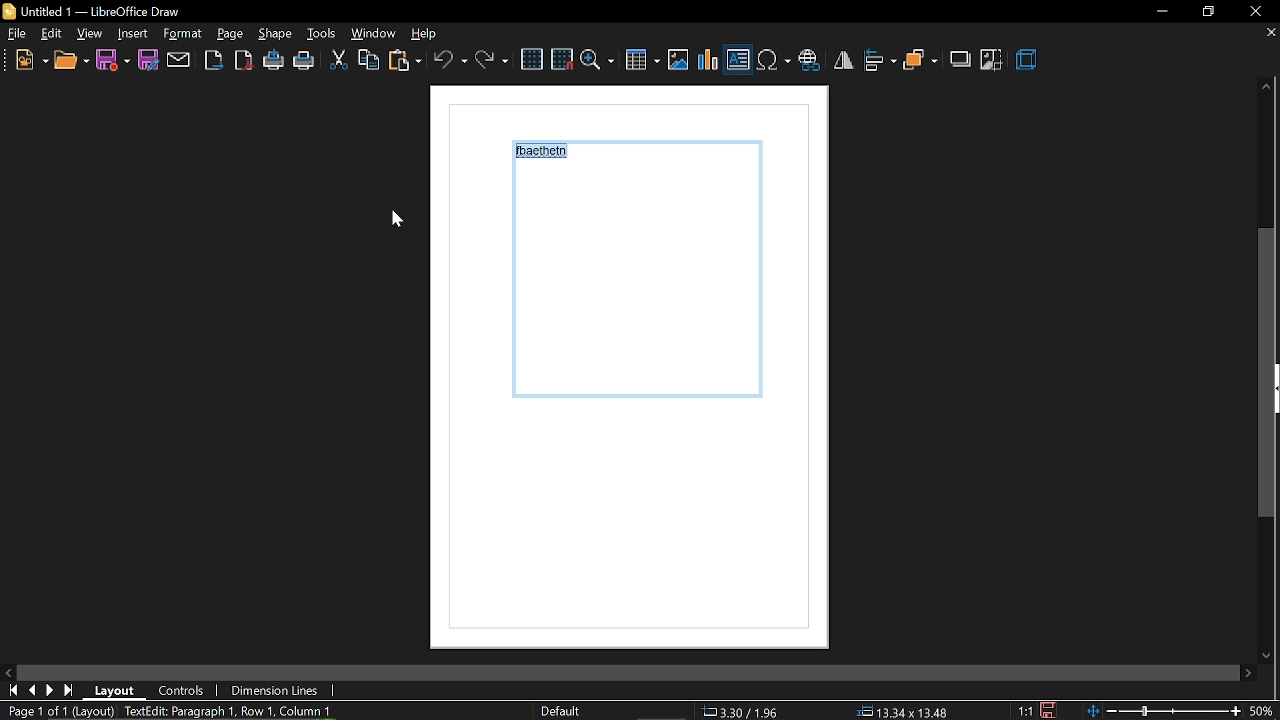 The image size is (1280, 720). I want to click on save, so click(114, 61).